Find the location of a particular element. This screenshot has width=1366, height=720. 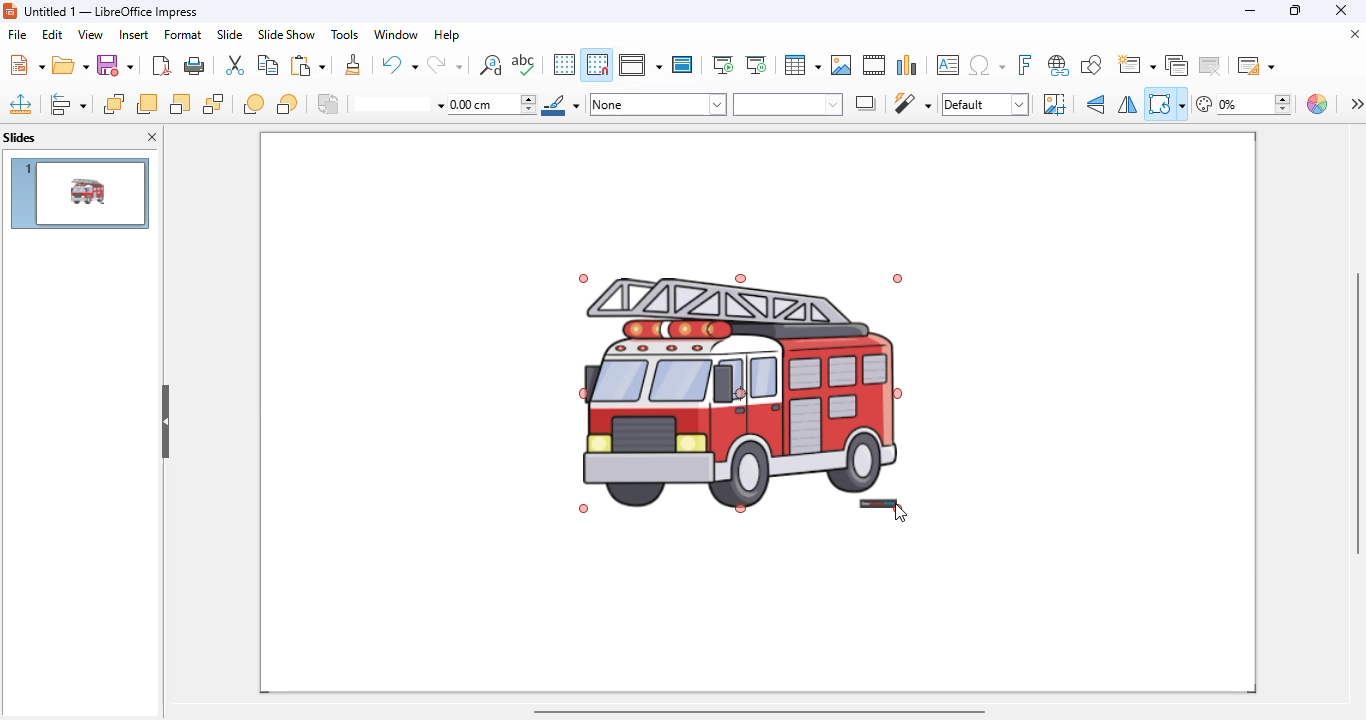

redo is located at coordinates (444, 64).